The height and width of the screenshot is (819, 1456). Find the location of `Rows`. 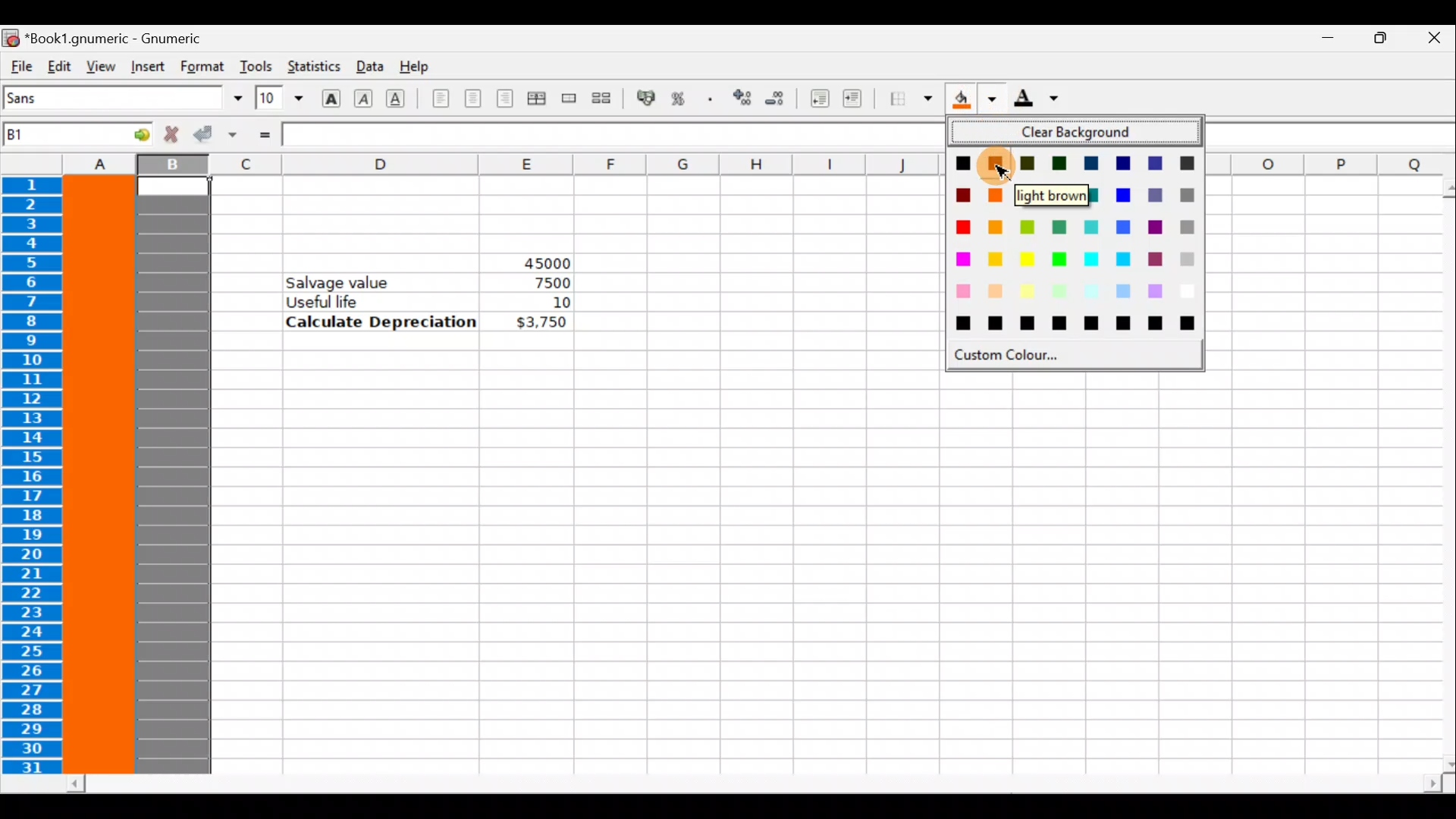

Rows is located at coordinates (36, 477).